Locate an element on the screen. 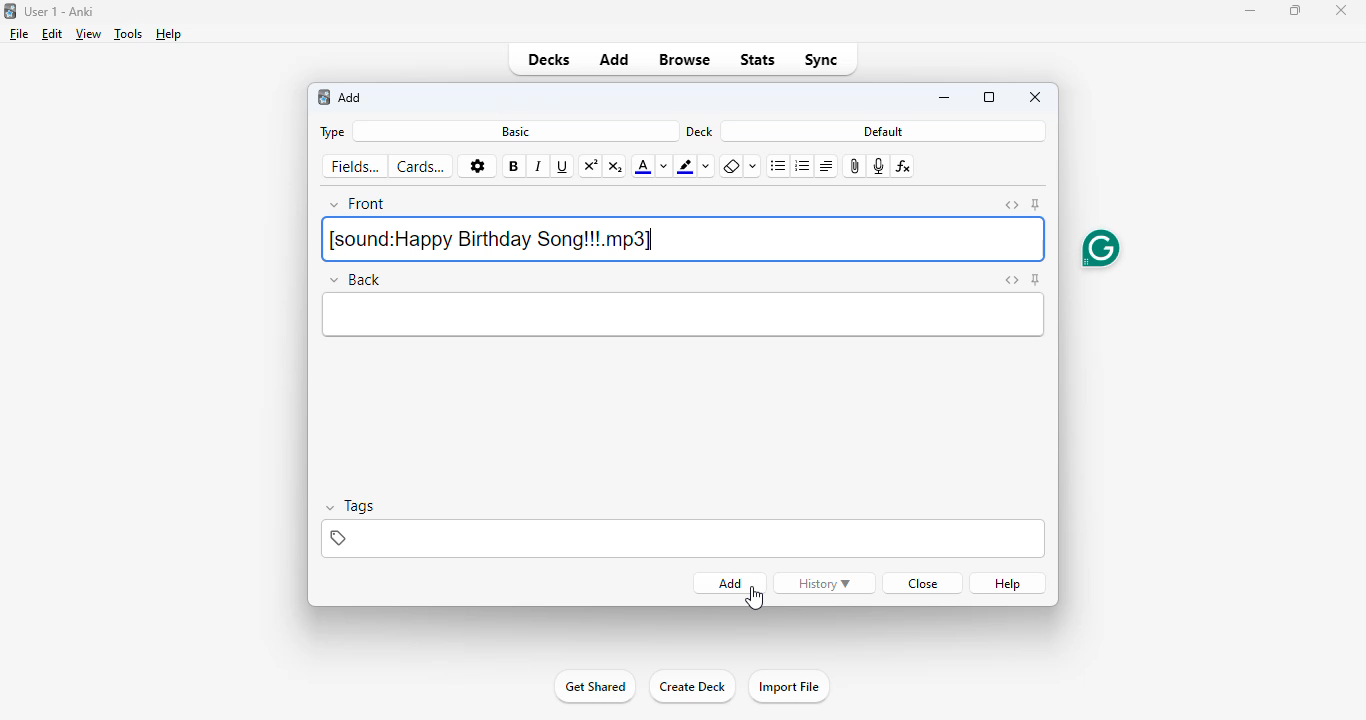  file is located at coordinates (19, 34).